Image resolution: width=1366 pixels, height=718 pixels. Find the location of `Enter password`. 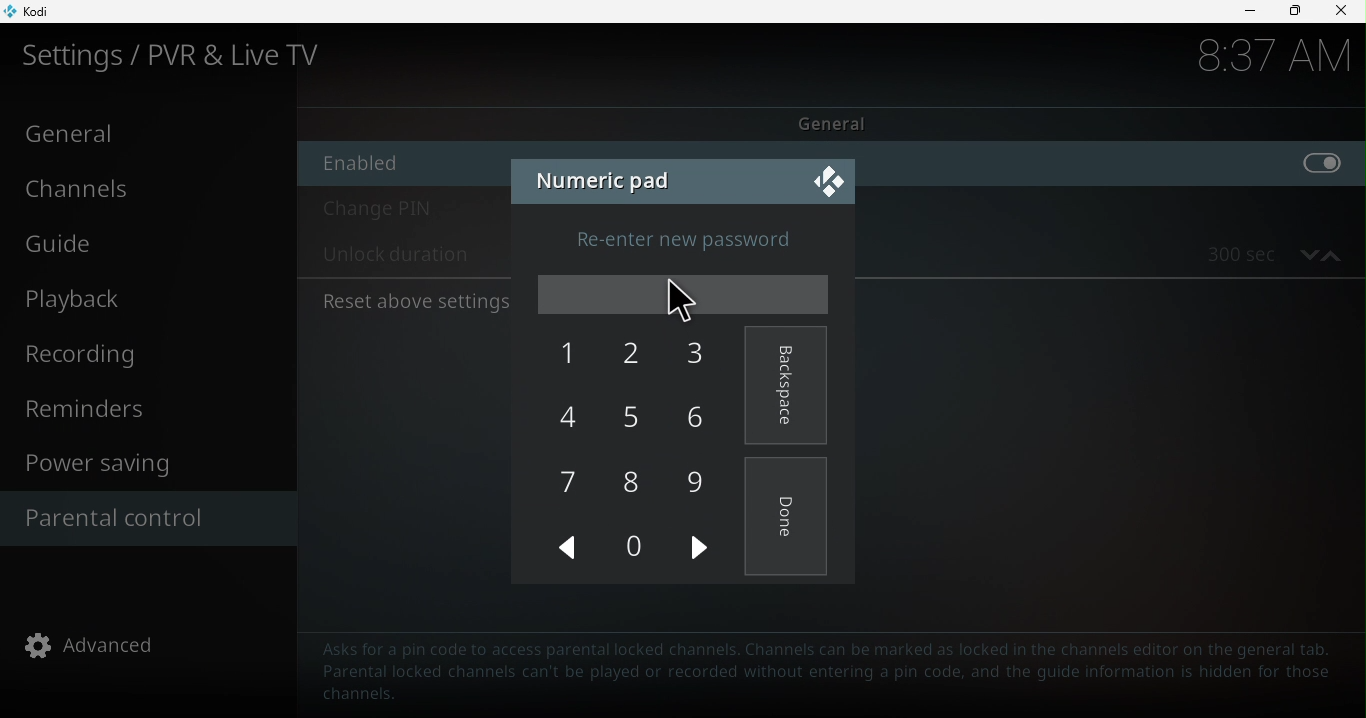

Enter password is located at coordinates (689, 297).